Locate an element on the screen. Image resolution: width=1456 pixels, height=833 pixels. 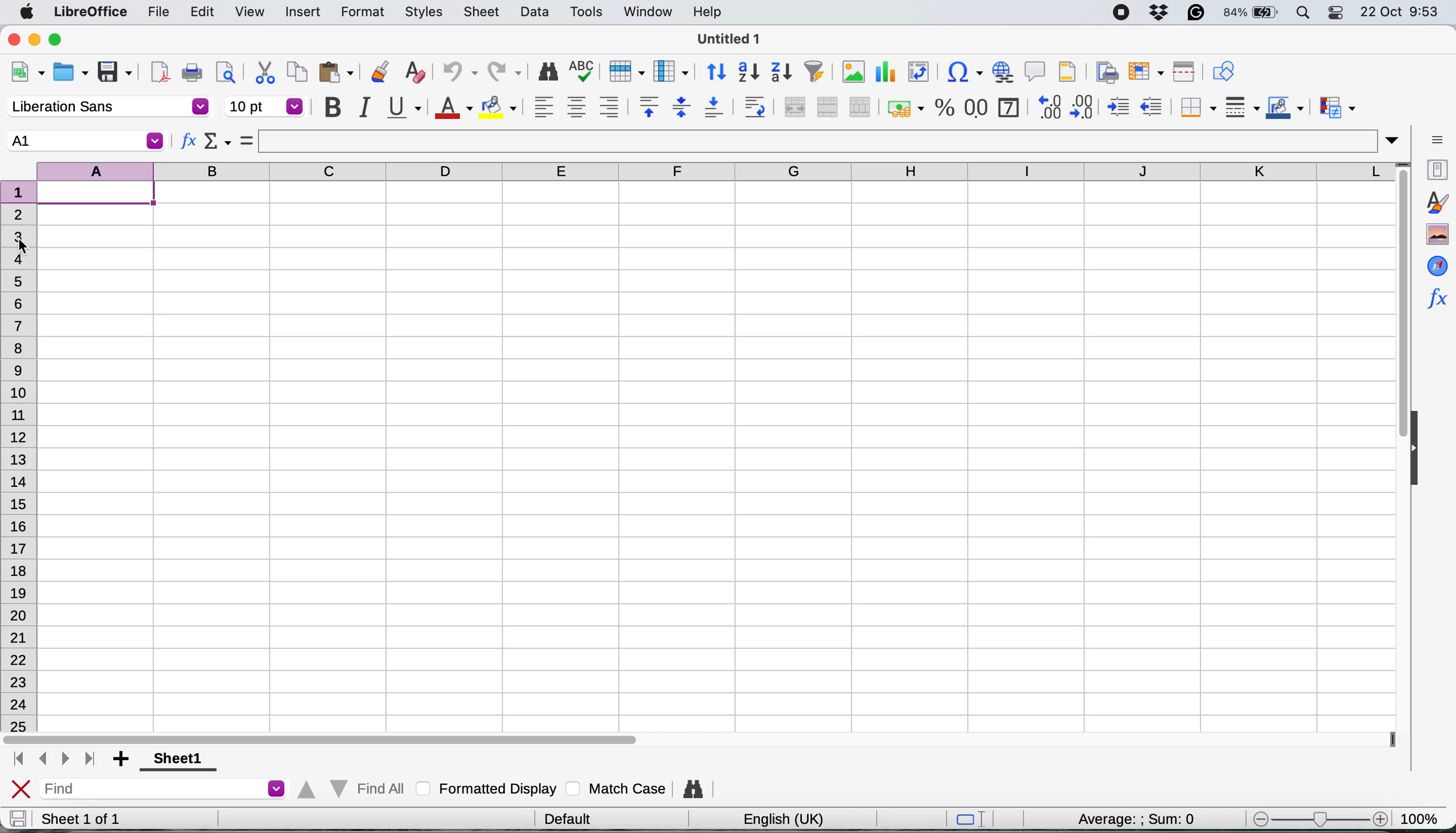
minimise is located at coordinates (36, 39).